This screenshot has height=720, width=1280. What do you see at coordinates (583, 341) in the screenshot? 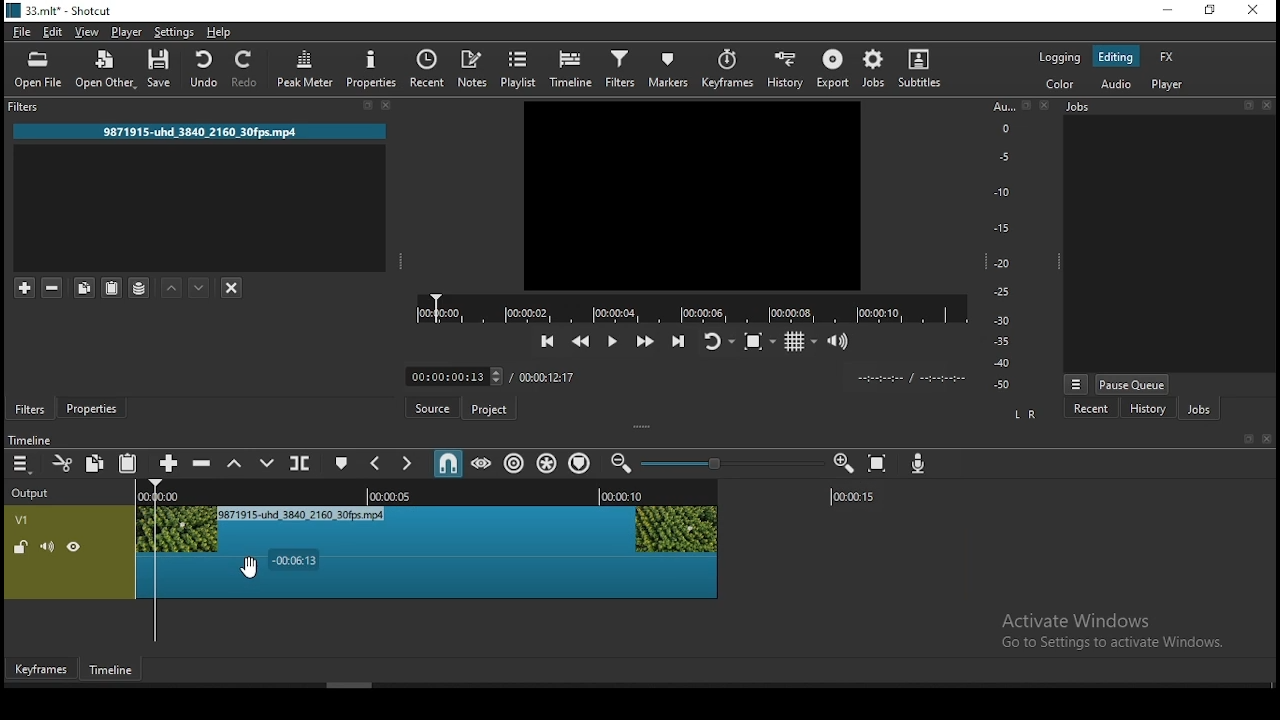
I see `play quickly backward` at bounding box center [583, 341].